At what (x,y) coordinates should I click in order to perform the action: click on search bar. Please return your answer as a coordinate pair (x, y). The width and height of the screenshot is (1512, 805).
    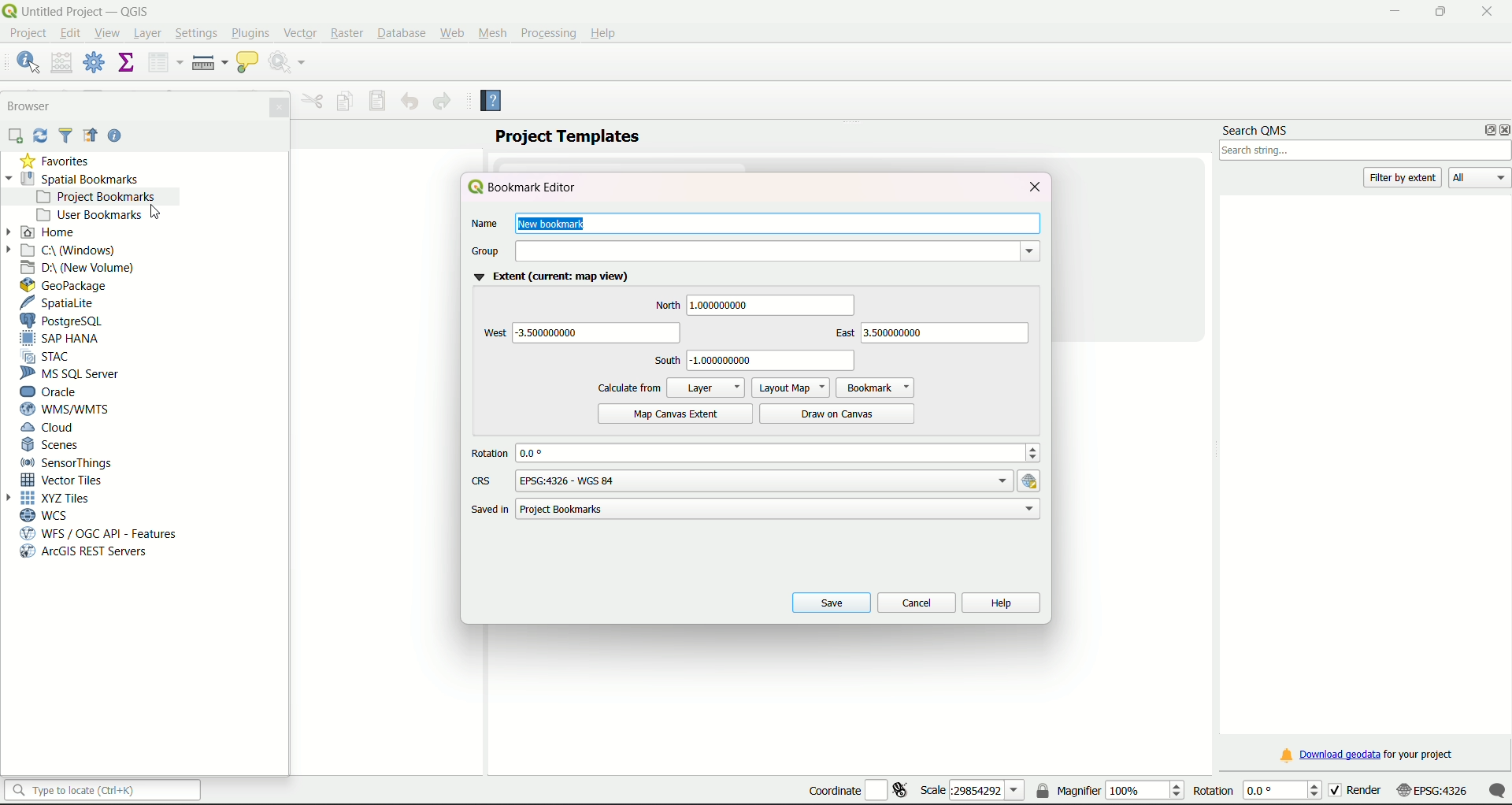
    Looking at the image, I should click on (103, 790).